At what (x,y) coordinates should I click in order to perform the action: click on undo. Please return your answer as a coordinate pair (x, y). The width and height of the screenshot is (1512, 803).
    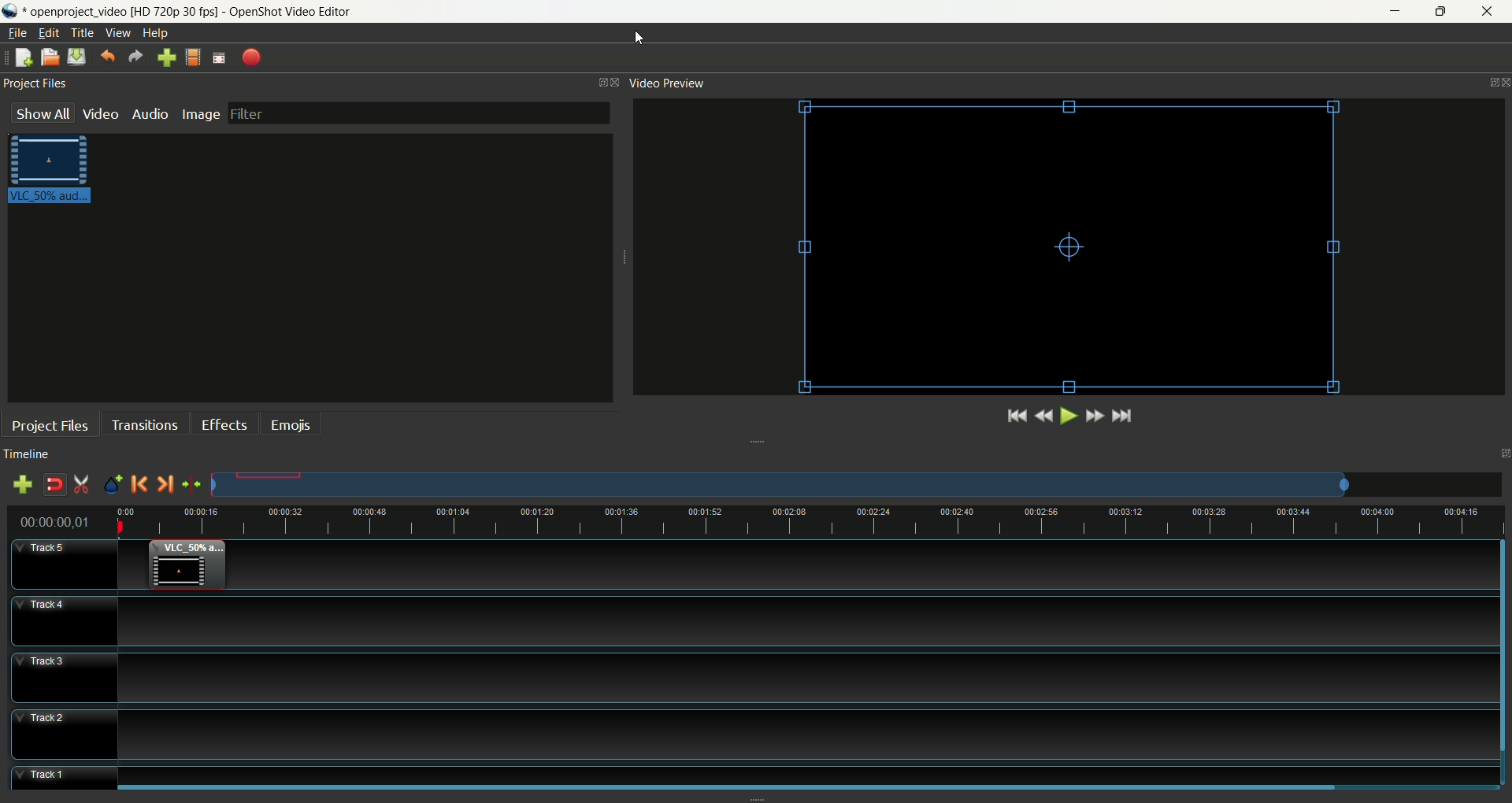
    Looking at the image, I should click on (106, 56).